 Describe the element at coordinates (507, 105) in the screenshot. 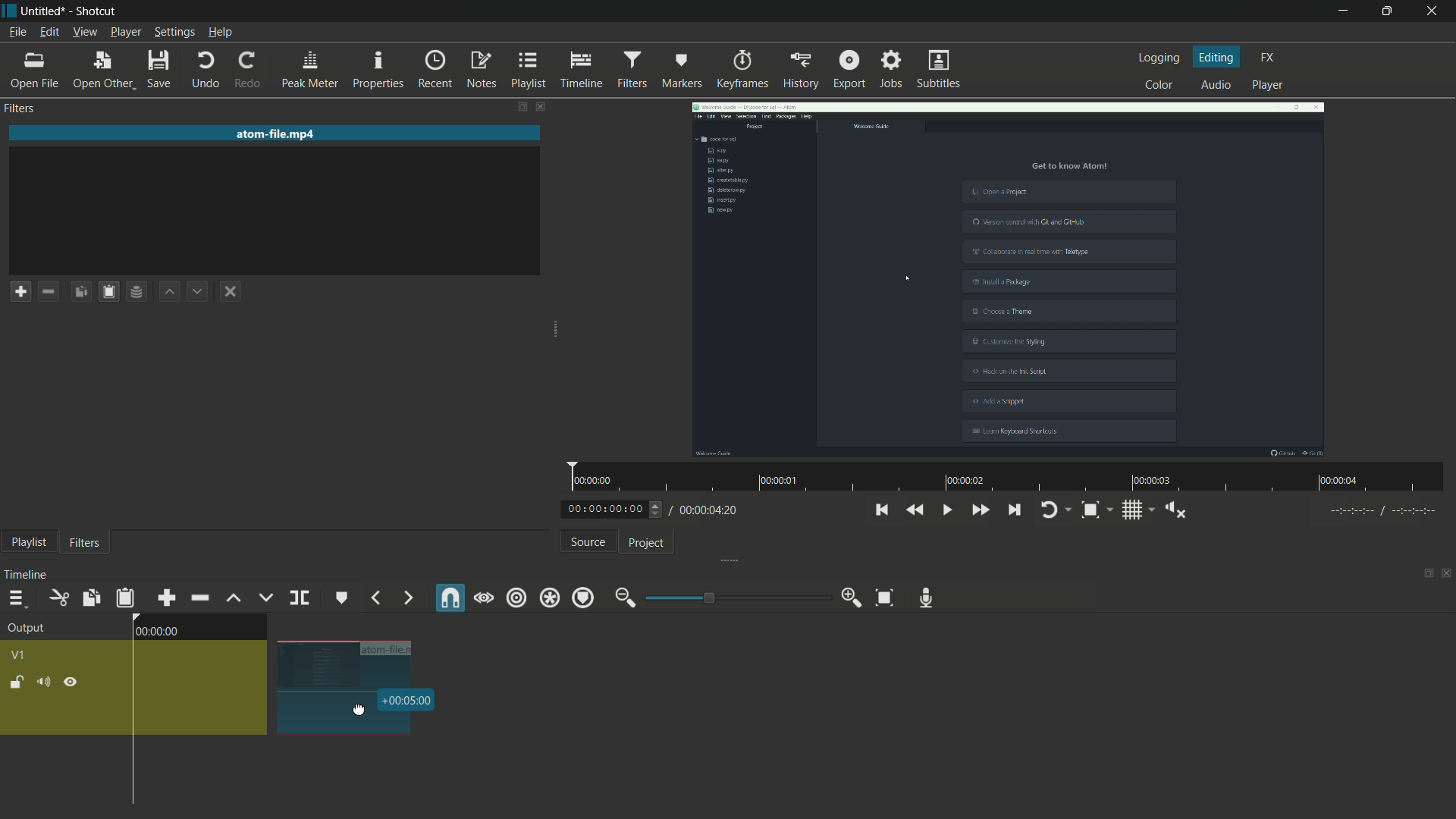

I see `change layout` at that location.